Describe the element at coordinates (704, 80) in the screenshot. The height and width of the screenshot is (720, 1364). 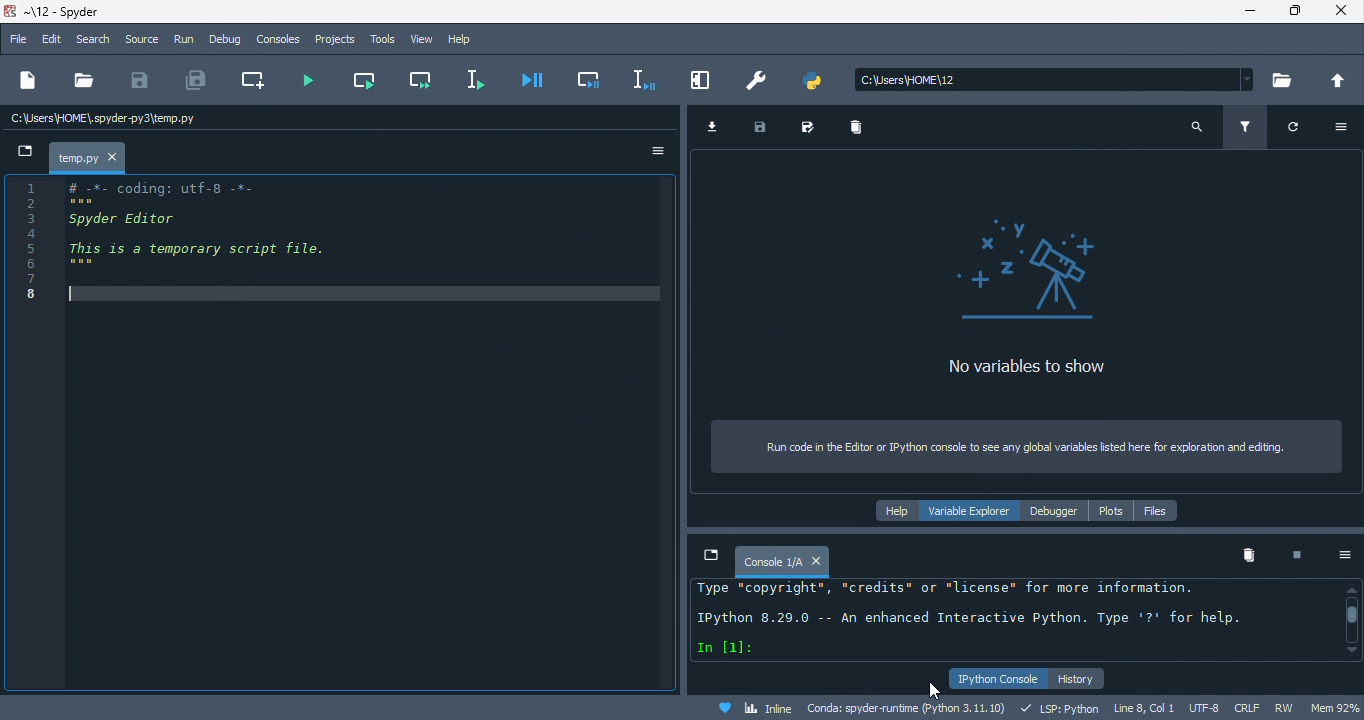
I see `maximize current pane` at that location.